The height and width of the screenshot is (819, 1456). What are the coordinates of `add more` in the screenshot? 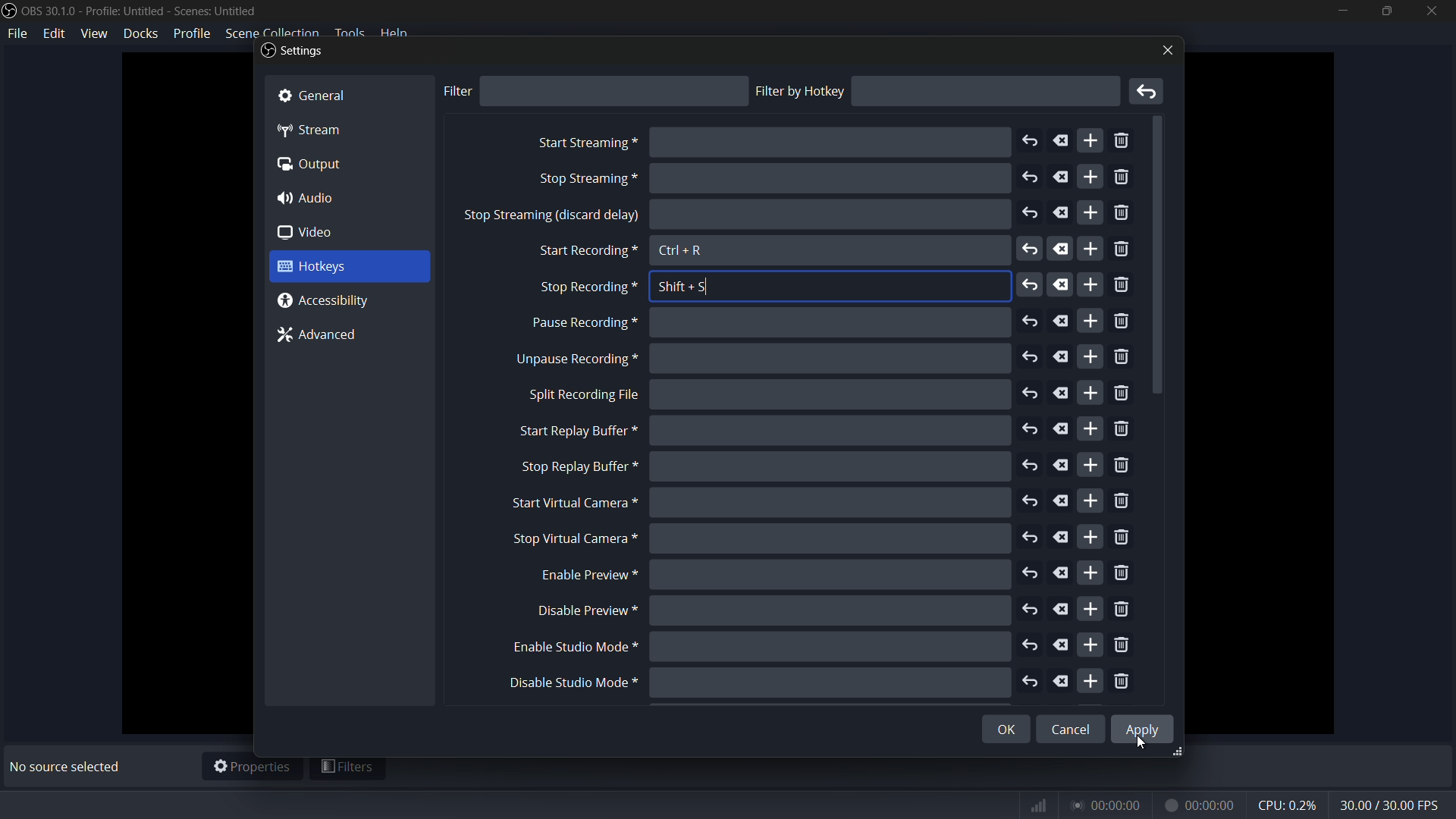 It's located at (1090, 177).